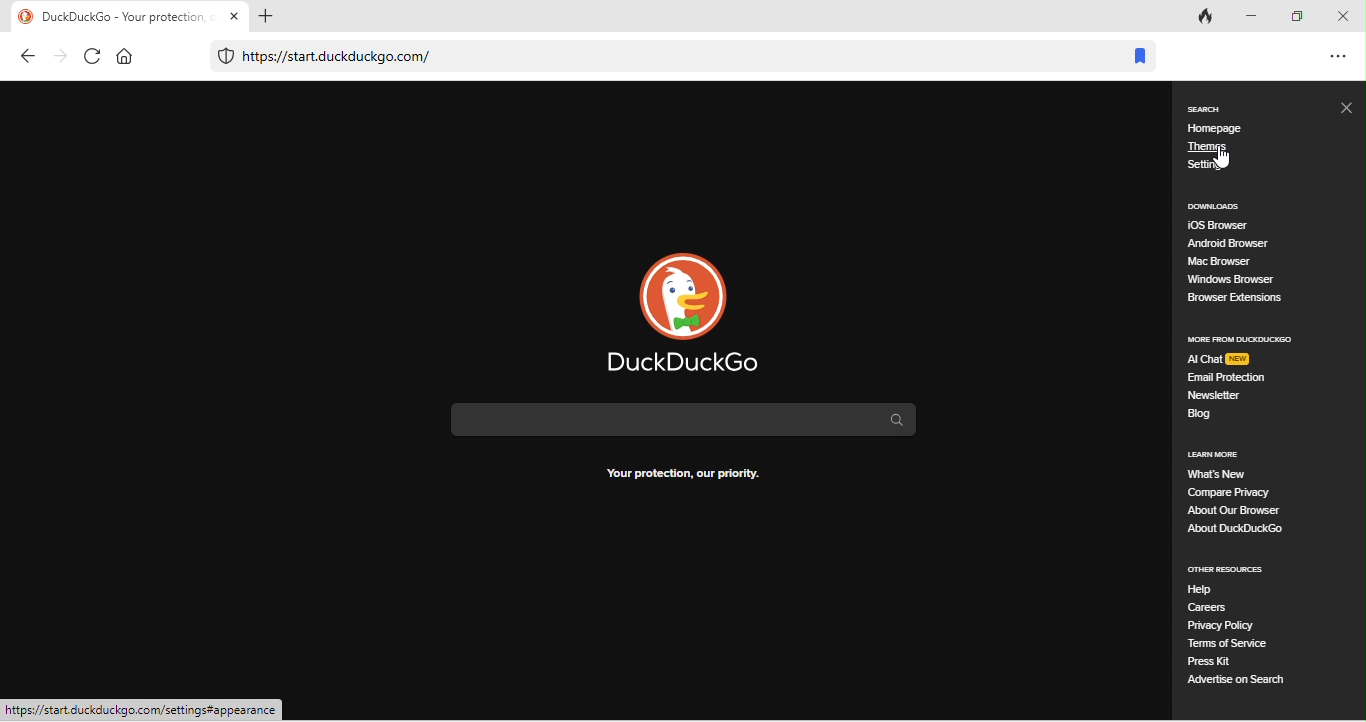 This screenshot has width=1366, height=722. Describe the element at coordinates (1257, 16) in the screenshot. I see `minimize` at that location.